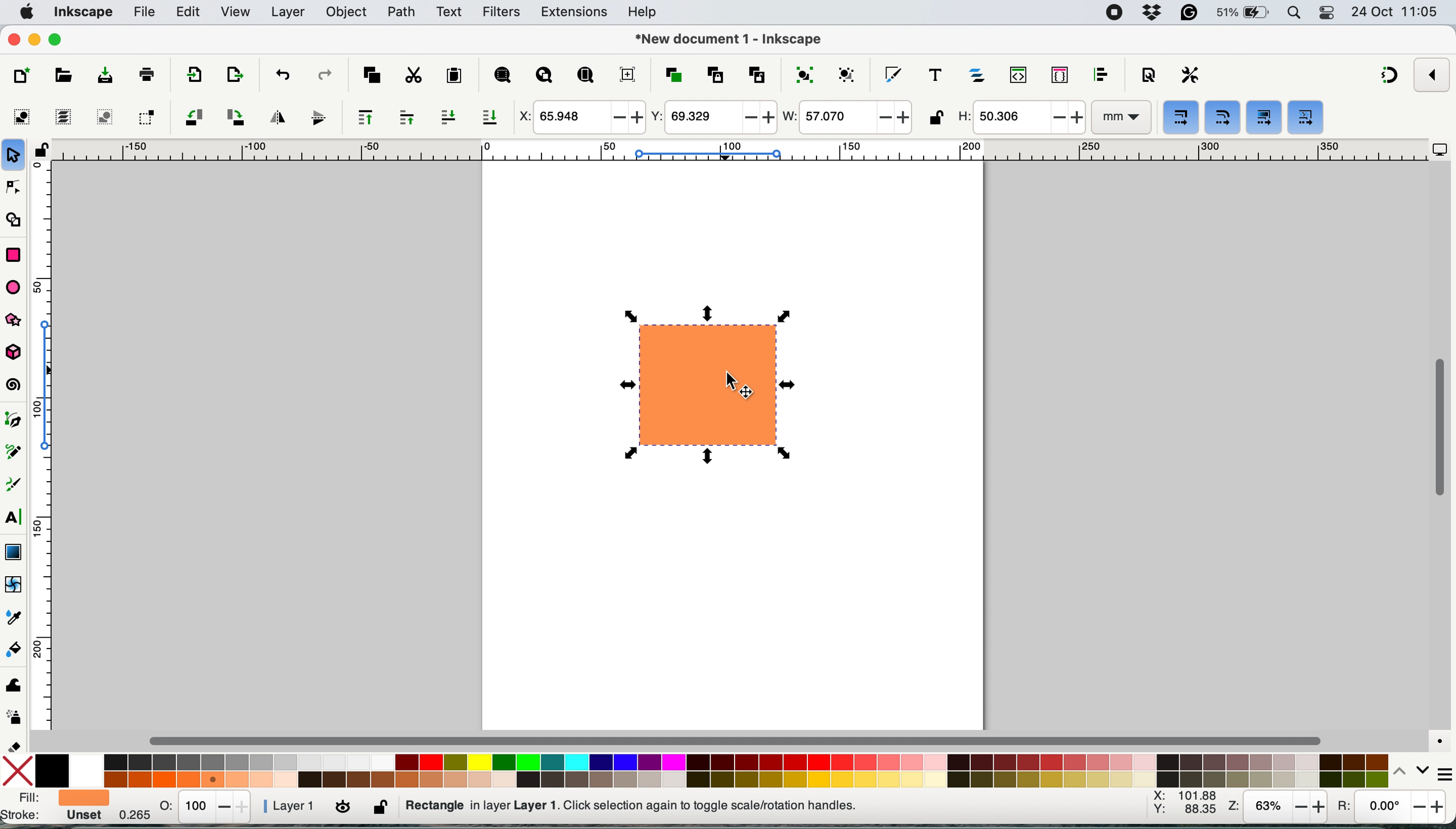 This screenshot has width=1456, height=829. Describe the element at coordinates (848, 73) in the screenshot. I see `ungroup` at that location.